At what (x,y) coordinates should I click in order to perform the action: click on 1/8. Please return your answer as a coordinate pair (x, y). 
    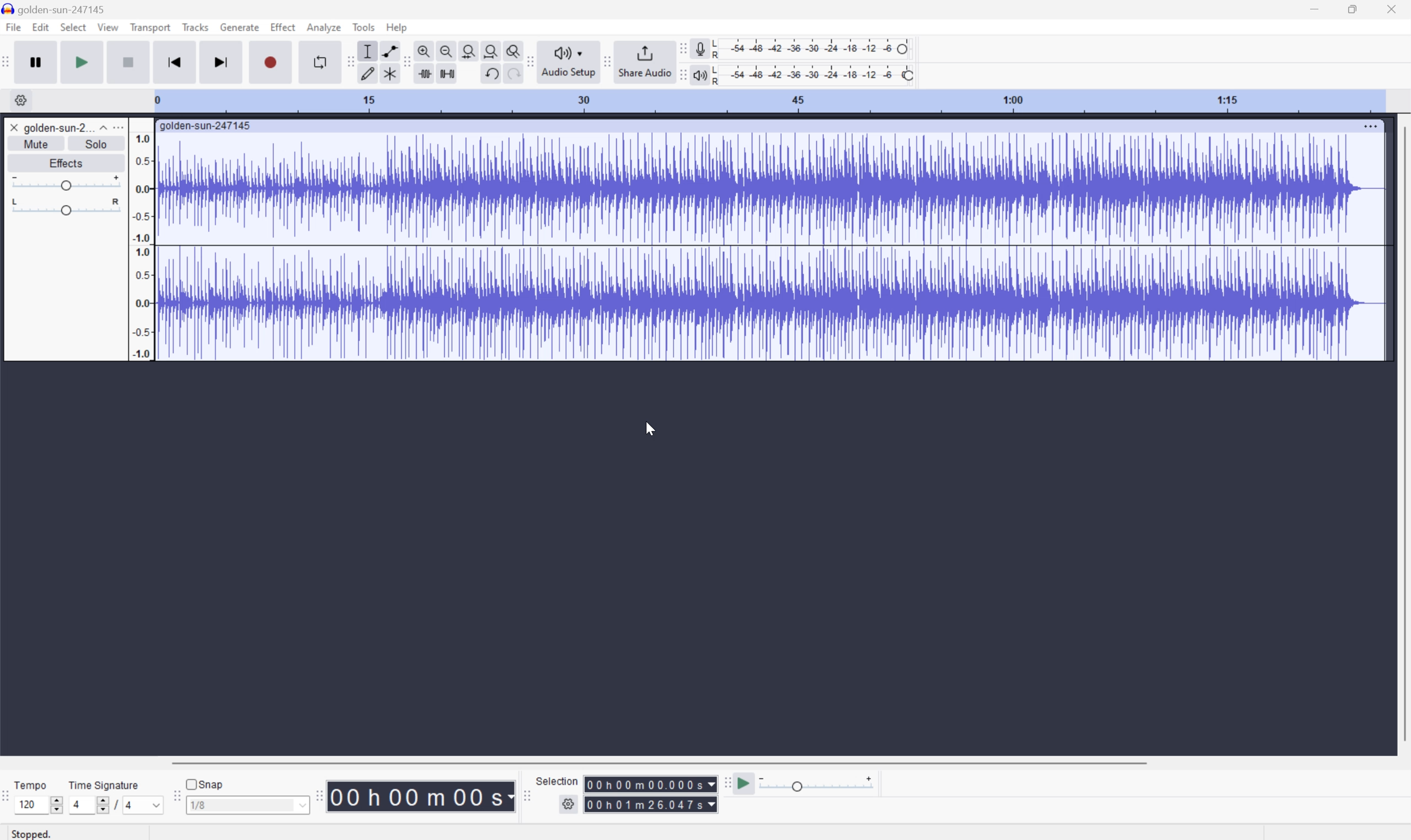
    Looking at the image, I should click on (247, 804).